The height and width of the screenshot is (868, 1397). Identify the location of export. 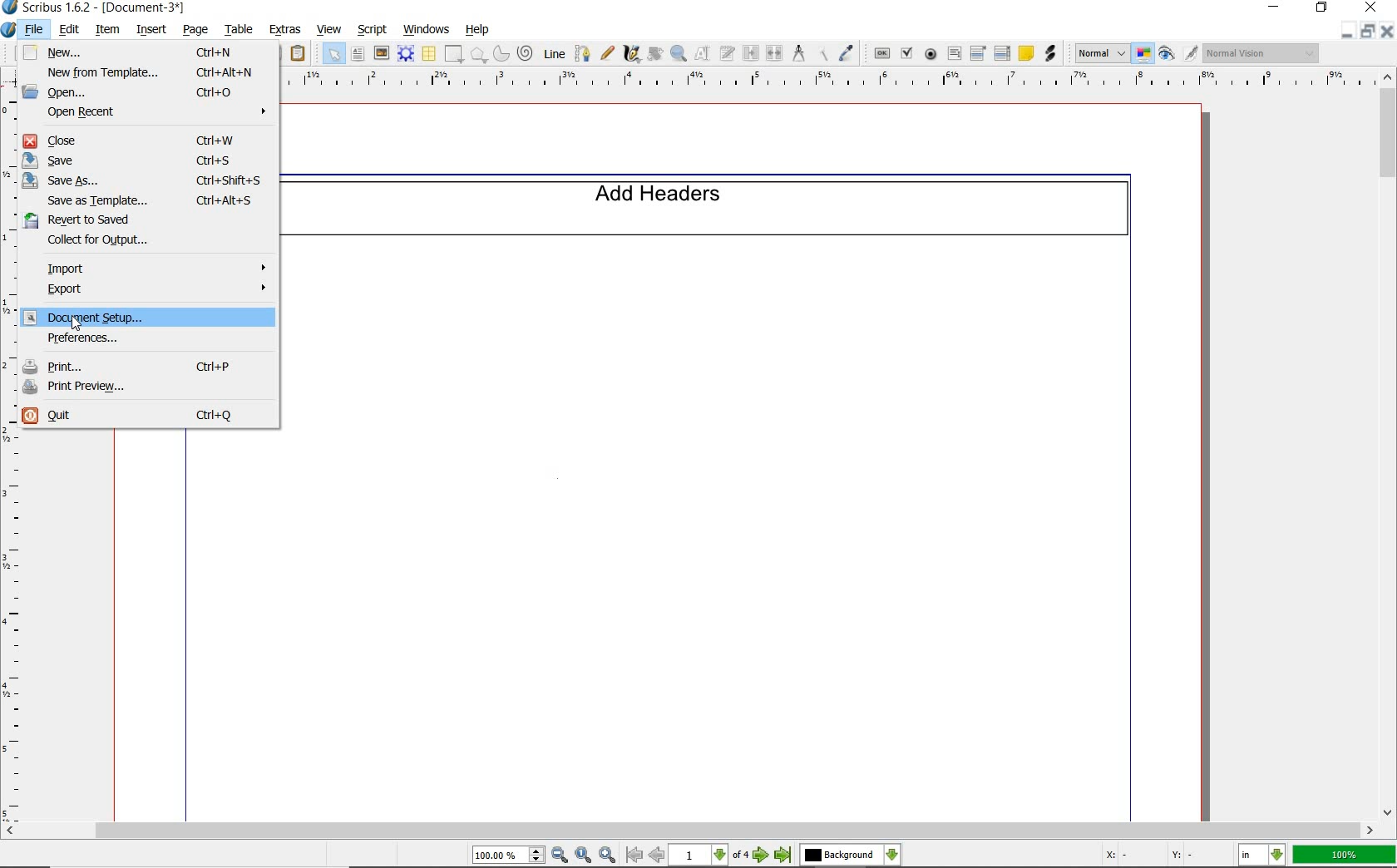
(148, 290).